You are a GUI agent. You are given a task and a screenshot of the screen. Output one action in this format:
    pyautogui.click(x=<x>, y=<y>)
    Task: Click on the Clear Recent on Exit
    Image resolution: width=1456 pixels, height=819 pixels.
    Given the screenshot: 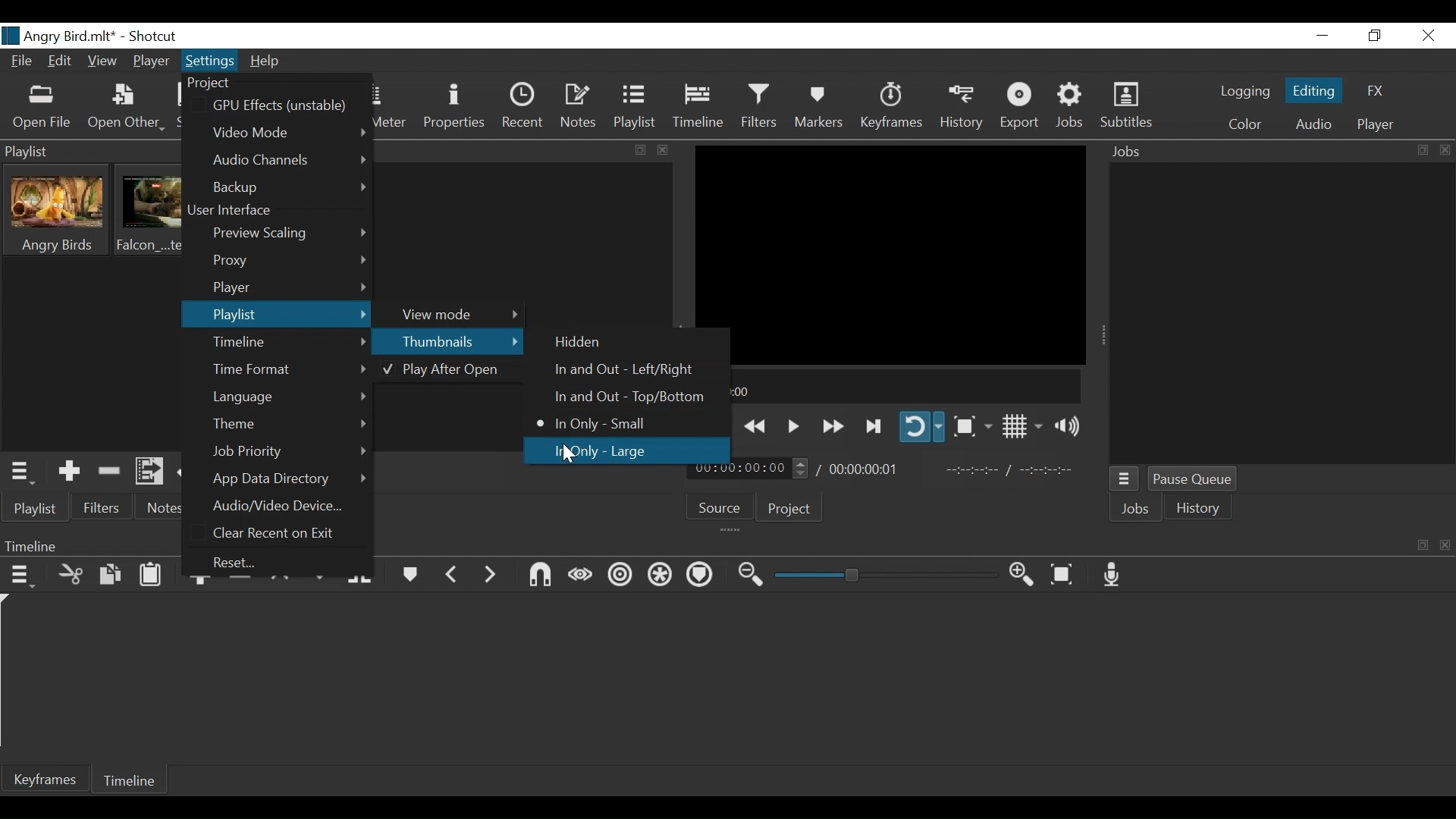 What is the action you would take?
    pyautogui.click(x=280, y=533)
    